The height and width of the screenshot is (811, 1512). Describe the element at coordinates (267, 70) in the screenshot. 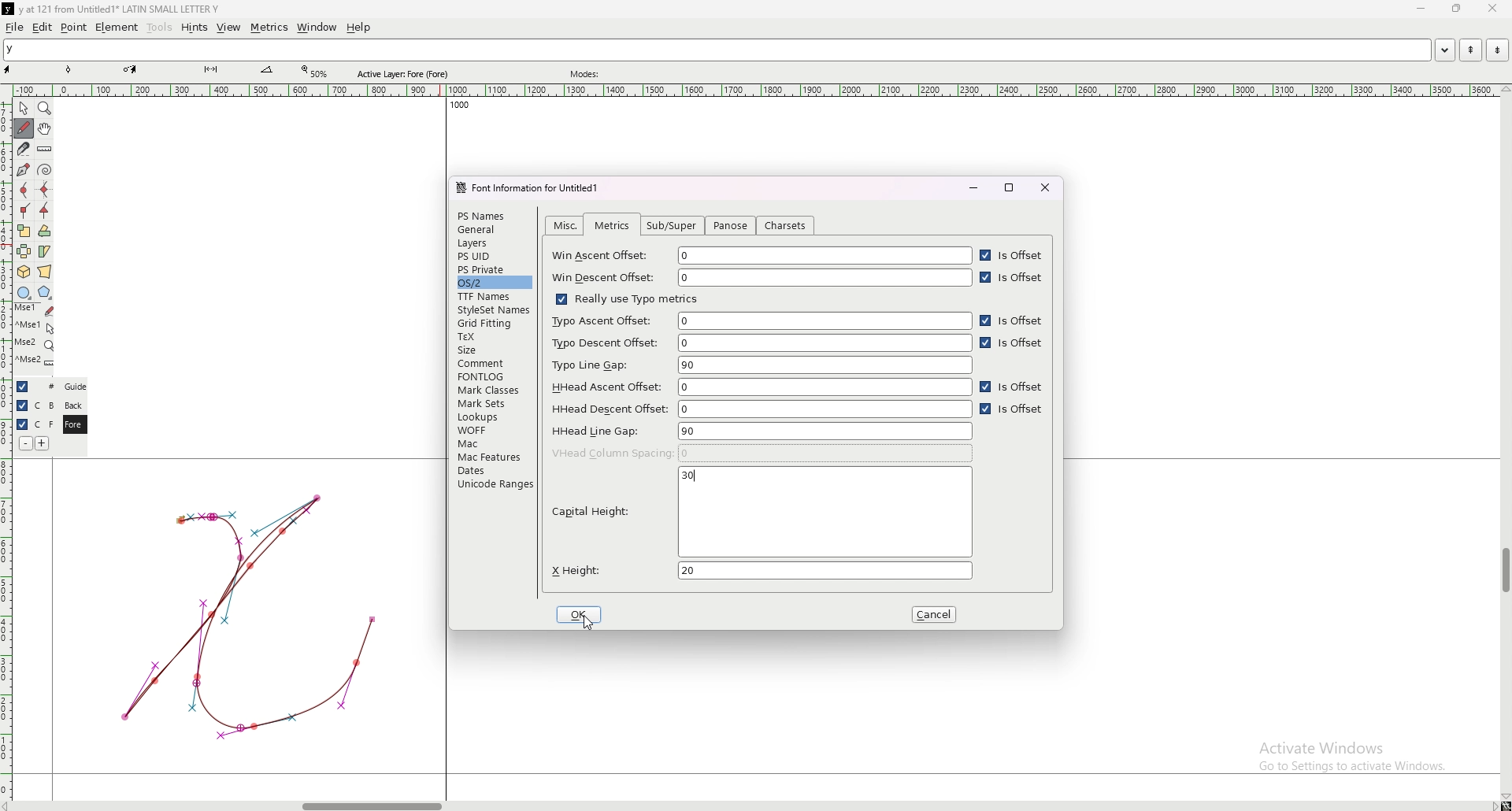

I see `measurement tool` at that location.